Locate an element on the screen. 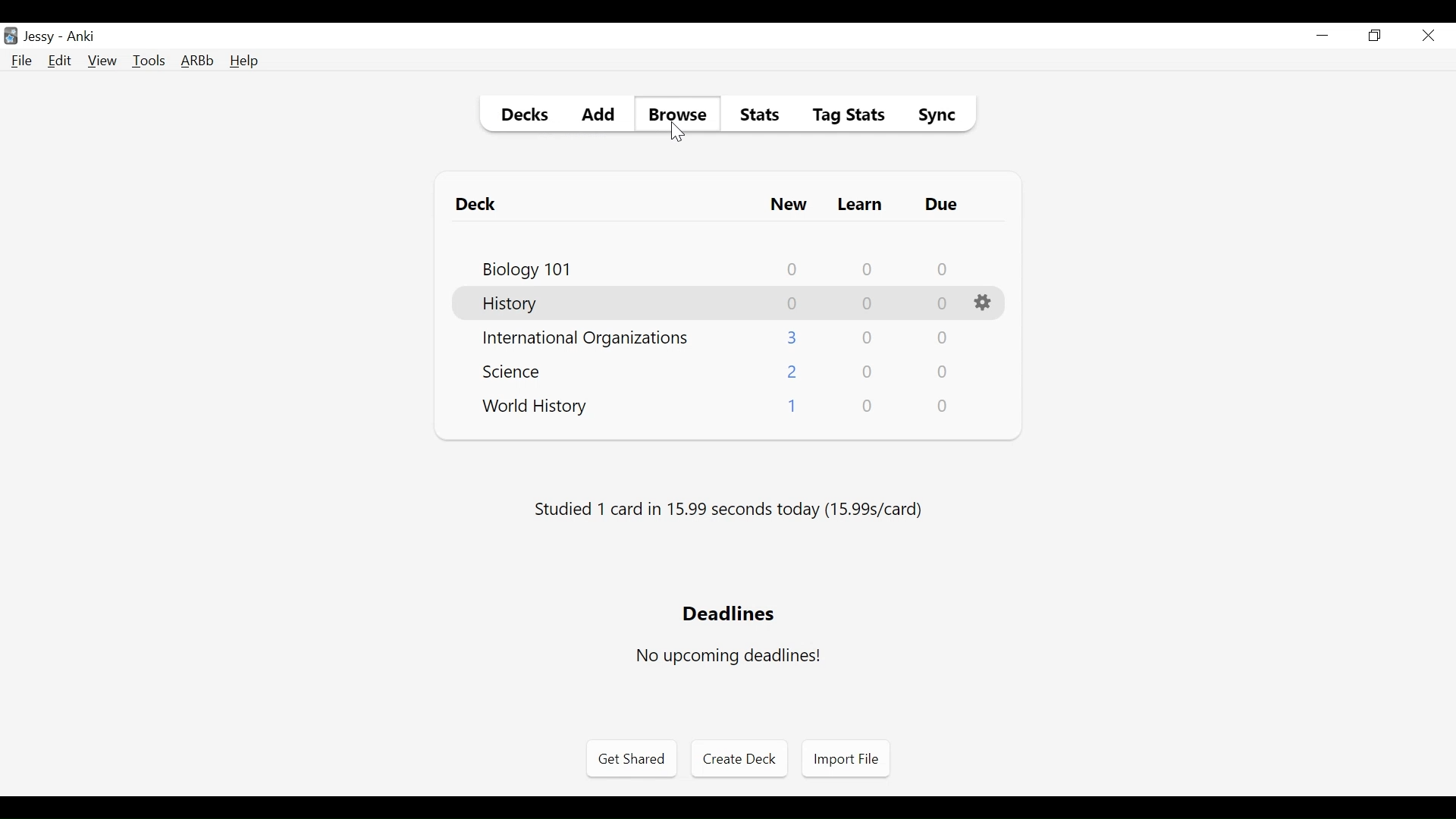 The image size is (1456, 819). New Card Count is located at coordinates (793, 271).